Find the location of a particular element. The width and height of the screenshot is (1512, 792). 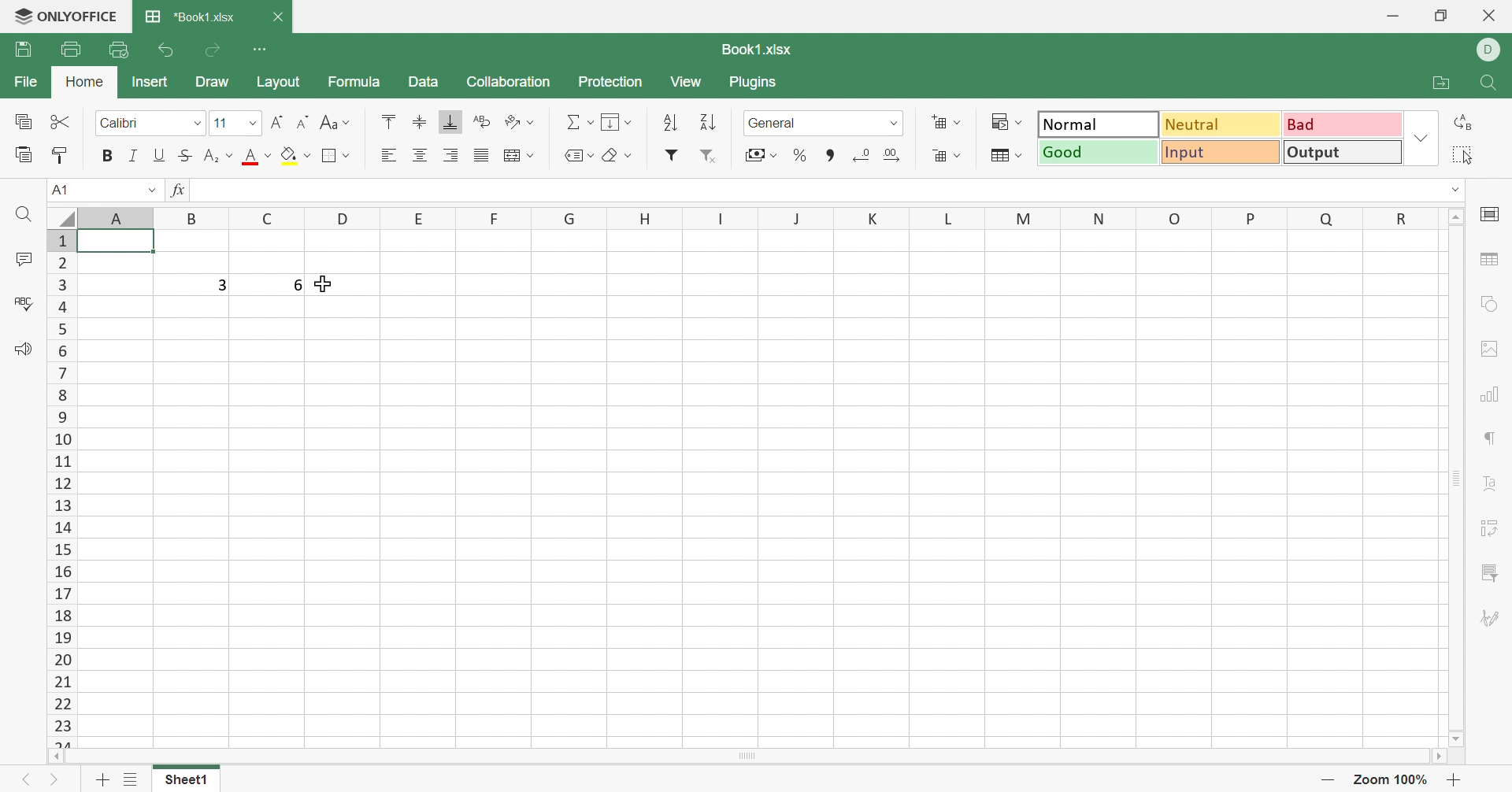

File is located at coordinates (29, 82).